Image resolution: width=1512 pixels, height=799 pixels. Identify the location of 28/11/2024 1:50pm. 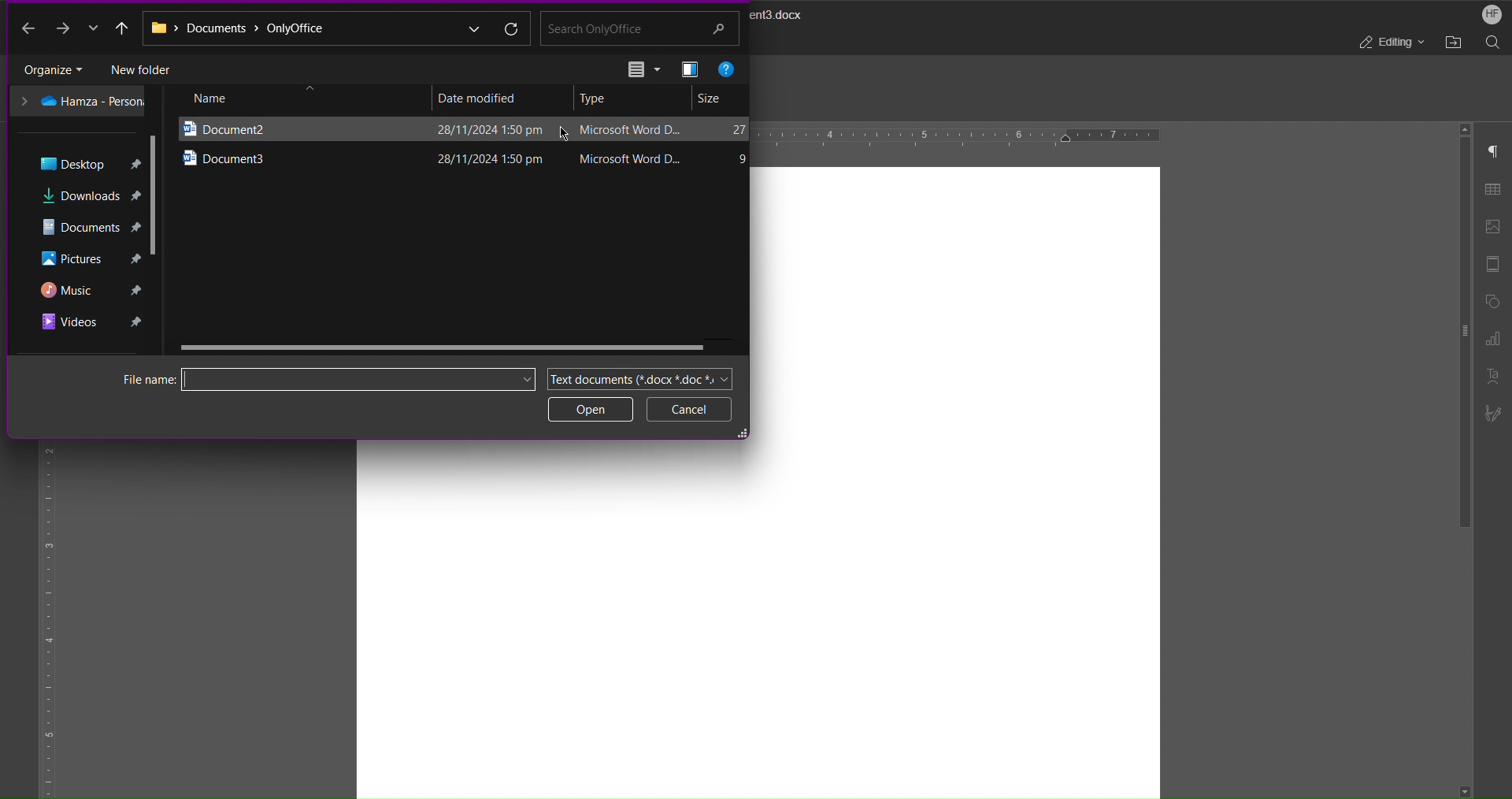
(487, 158).